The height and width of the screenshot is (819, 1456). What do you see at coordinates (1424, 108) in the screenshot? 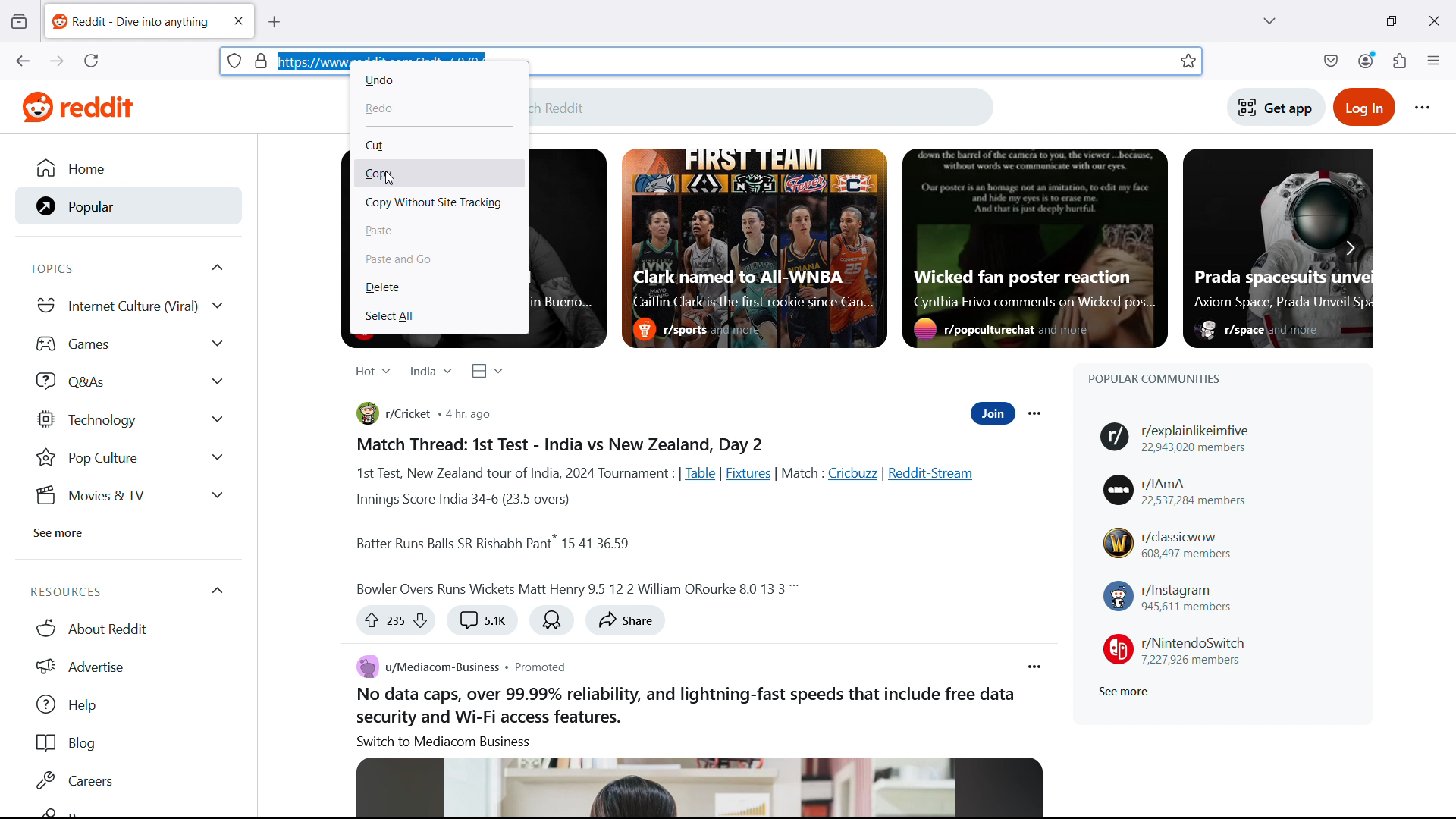
I see `Reddit options` at bounding box center [1424, 108].